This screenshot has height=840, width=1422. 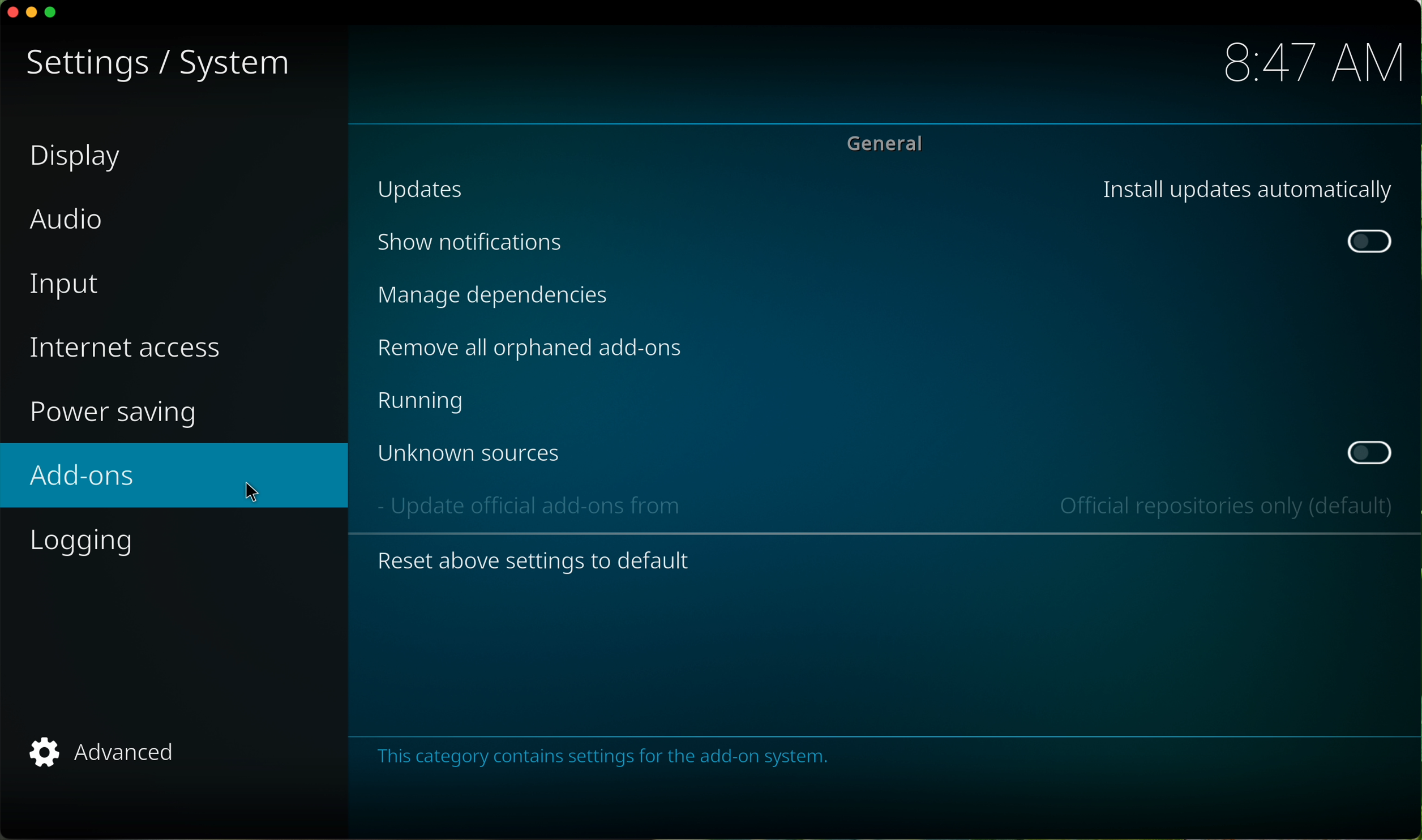 I want to click on minimize, so click(x=33, y=12).